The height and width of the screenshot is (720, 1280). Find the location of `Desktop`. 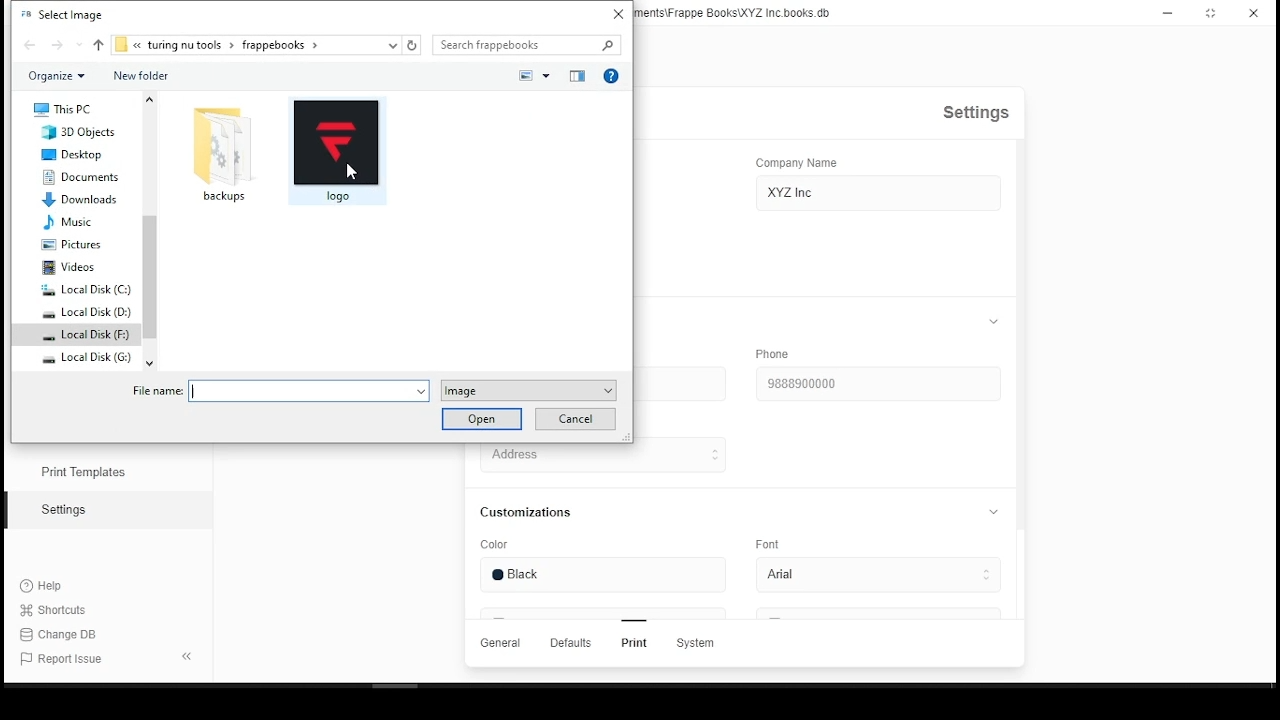

Desktop is located at coordinates (77, 154).